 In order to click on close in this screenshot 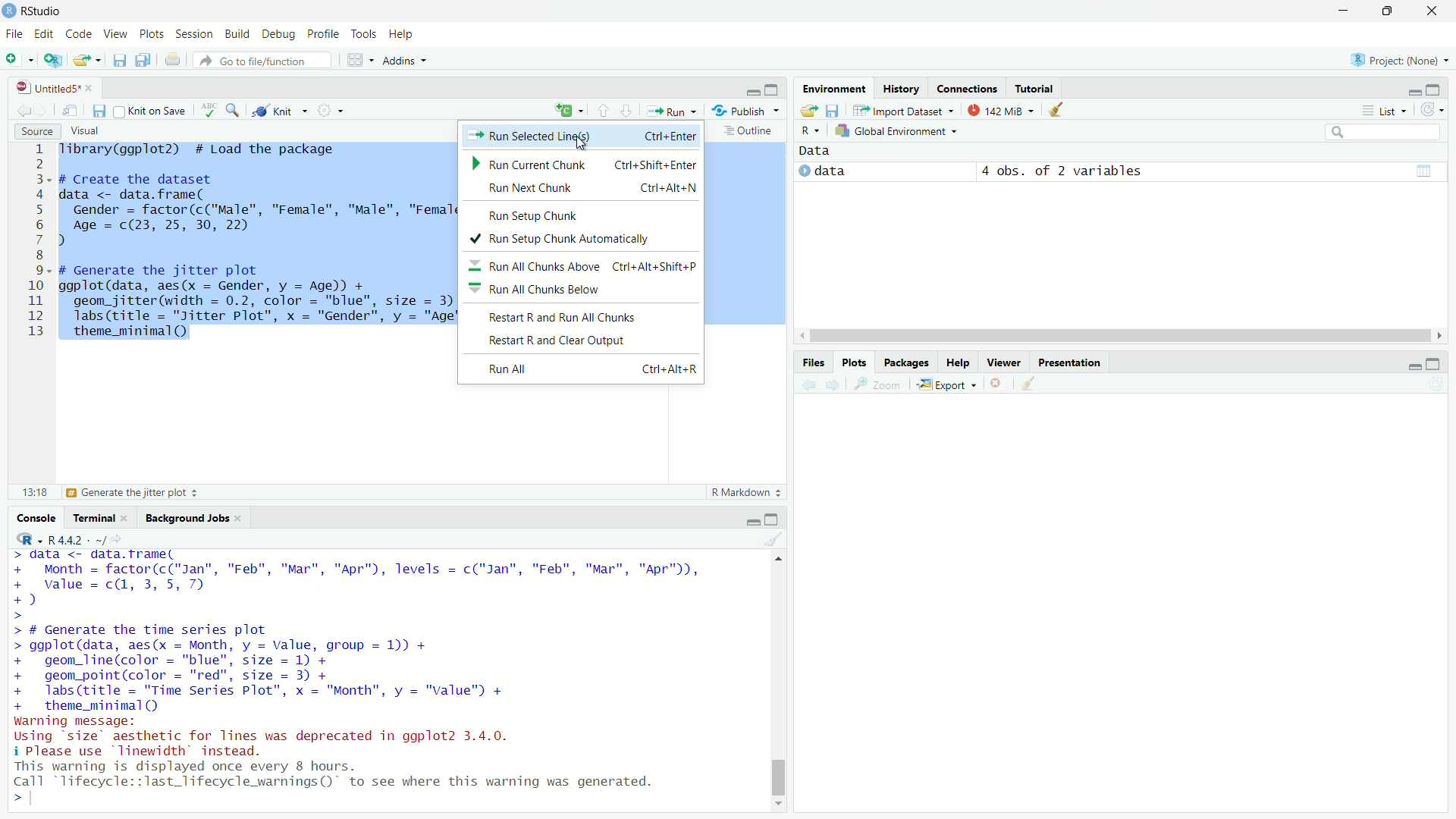, I will do `click(94, 89)`.